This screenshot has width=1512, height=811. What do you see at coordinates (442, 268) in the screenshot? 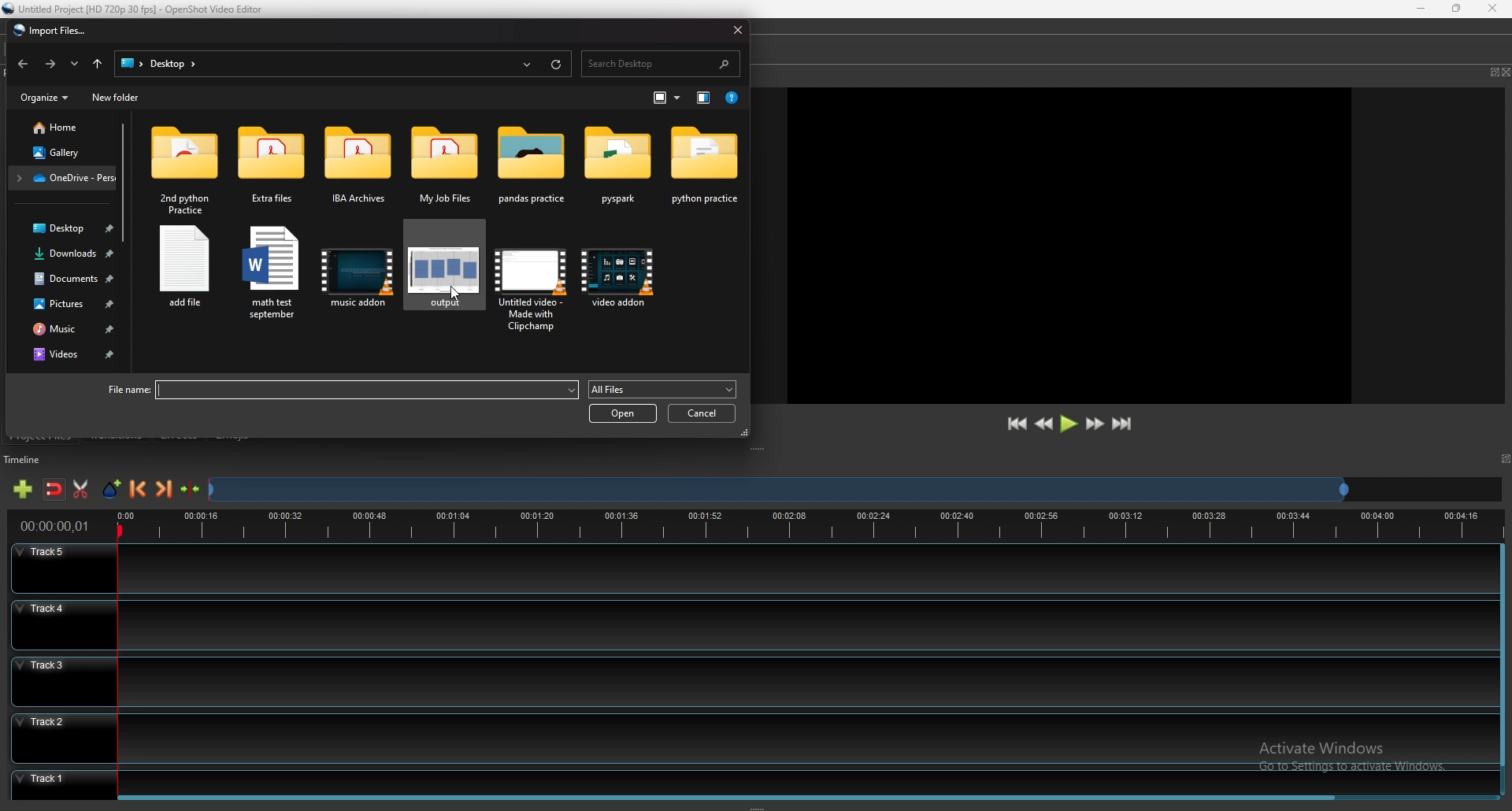
I see `file` at bounding box center [442, 268].